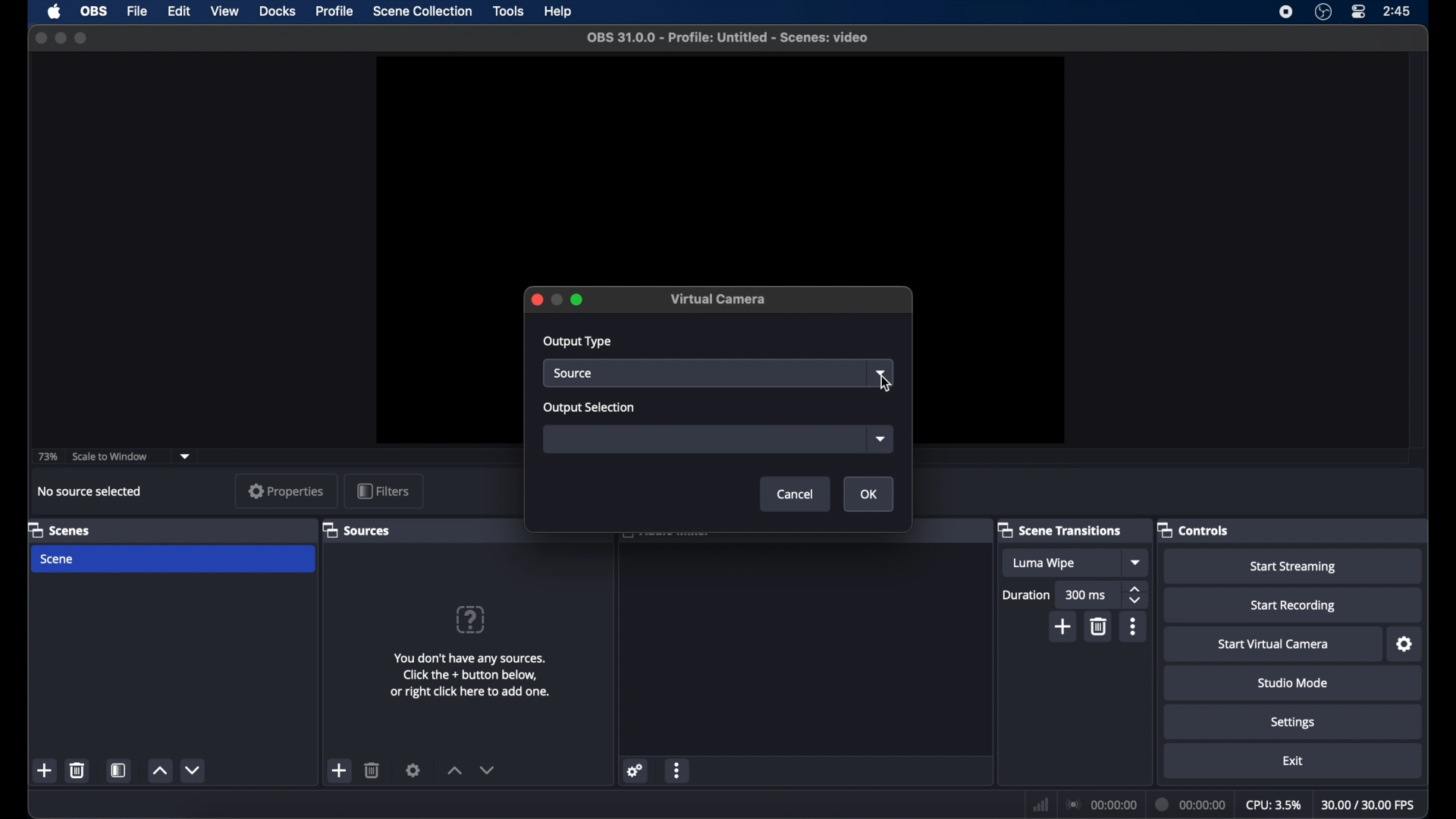  Describe the element at coordinates (340, 770) in the screenshot. I see `add` at that location.